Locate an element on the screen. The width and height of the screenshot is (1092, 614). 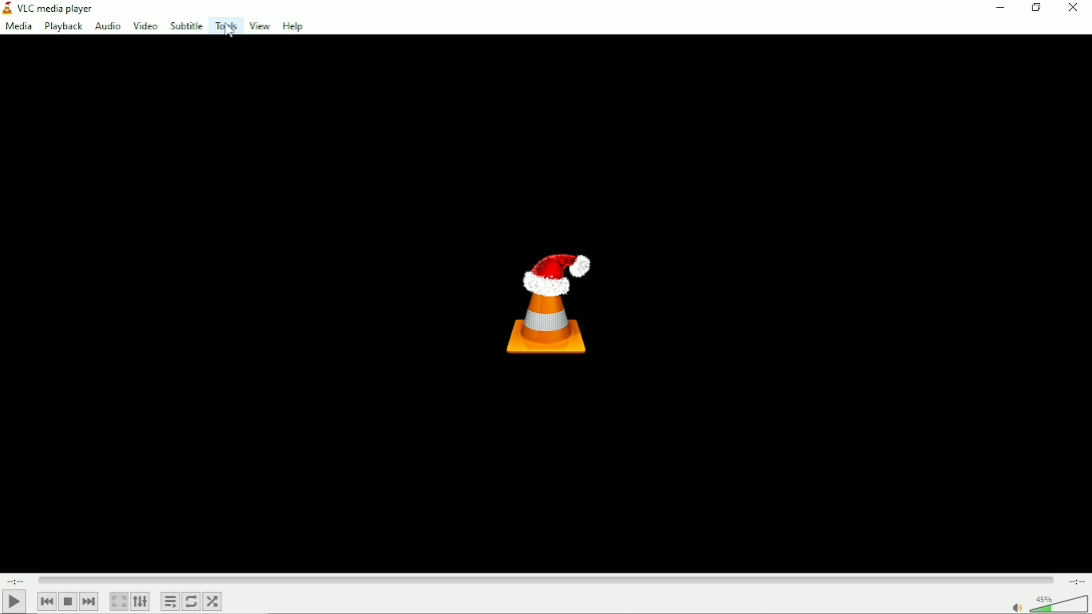
Toggle video in fullscreen is located at coordinates (119, 601).